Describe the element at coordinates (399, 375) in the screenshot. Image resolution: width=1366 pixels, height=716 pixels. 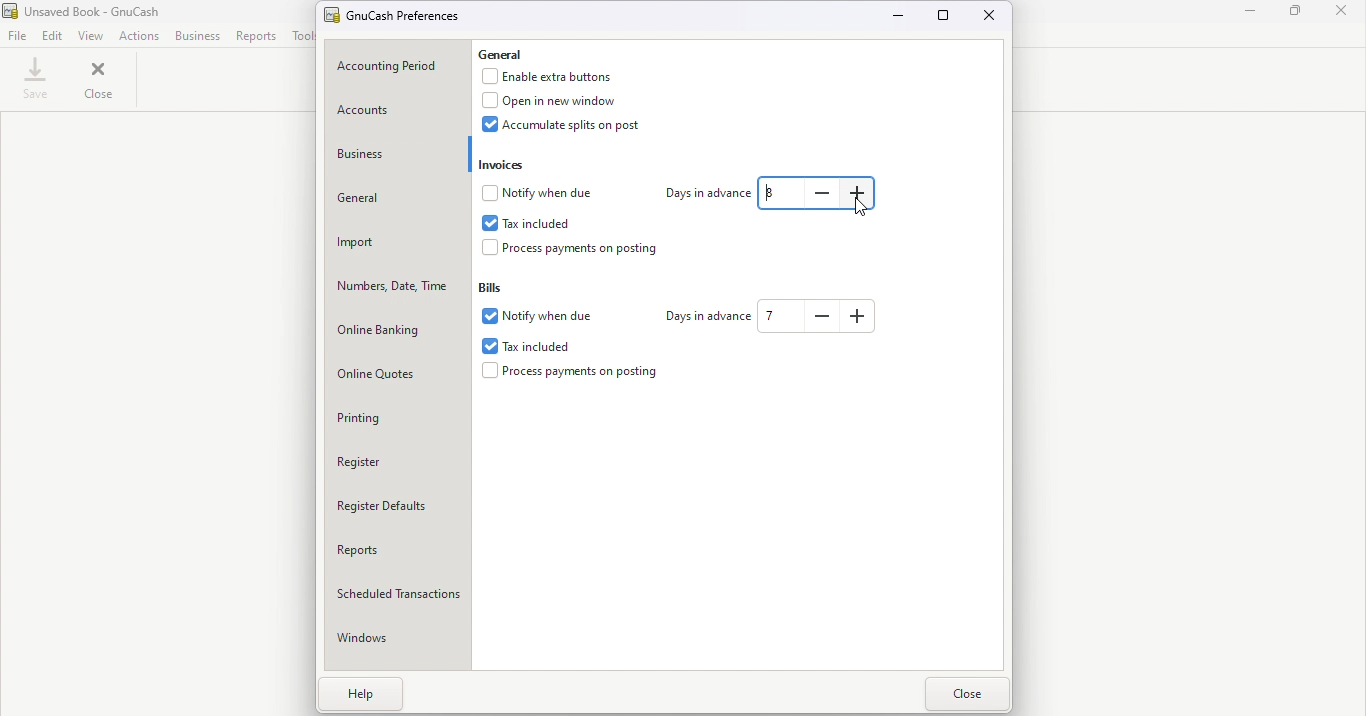
I see `Online quotes` at that location.